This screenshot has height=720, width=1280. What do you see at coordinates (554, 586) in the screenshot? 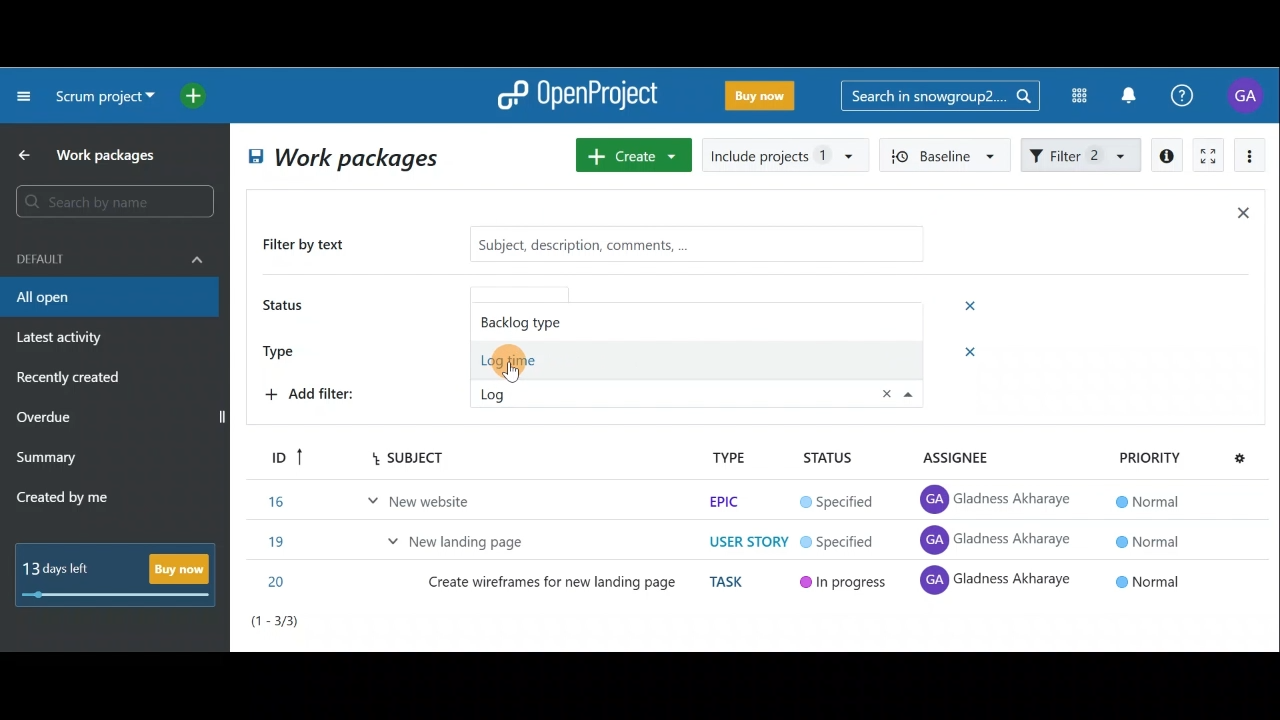
I see `Create wireframes for new landing page` at bounding box center [554, 586].